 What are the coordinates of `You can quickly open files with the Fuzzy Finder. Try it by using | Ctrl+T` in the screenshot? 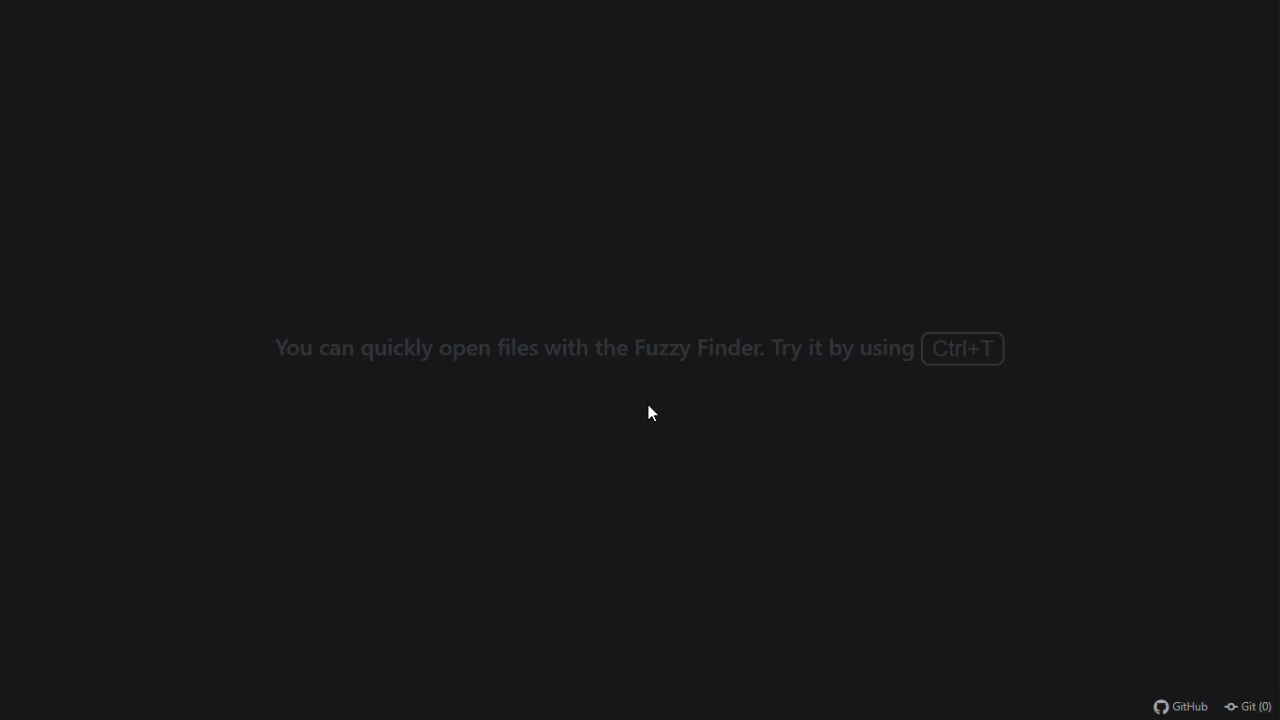 It's located at (633, 348).